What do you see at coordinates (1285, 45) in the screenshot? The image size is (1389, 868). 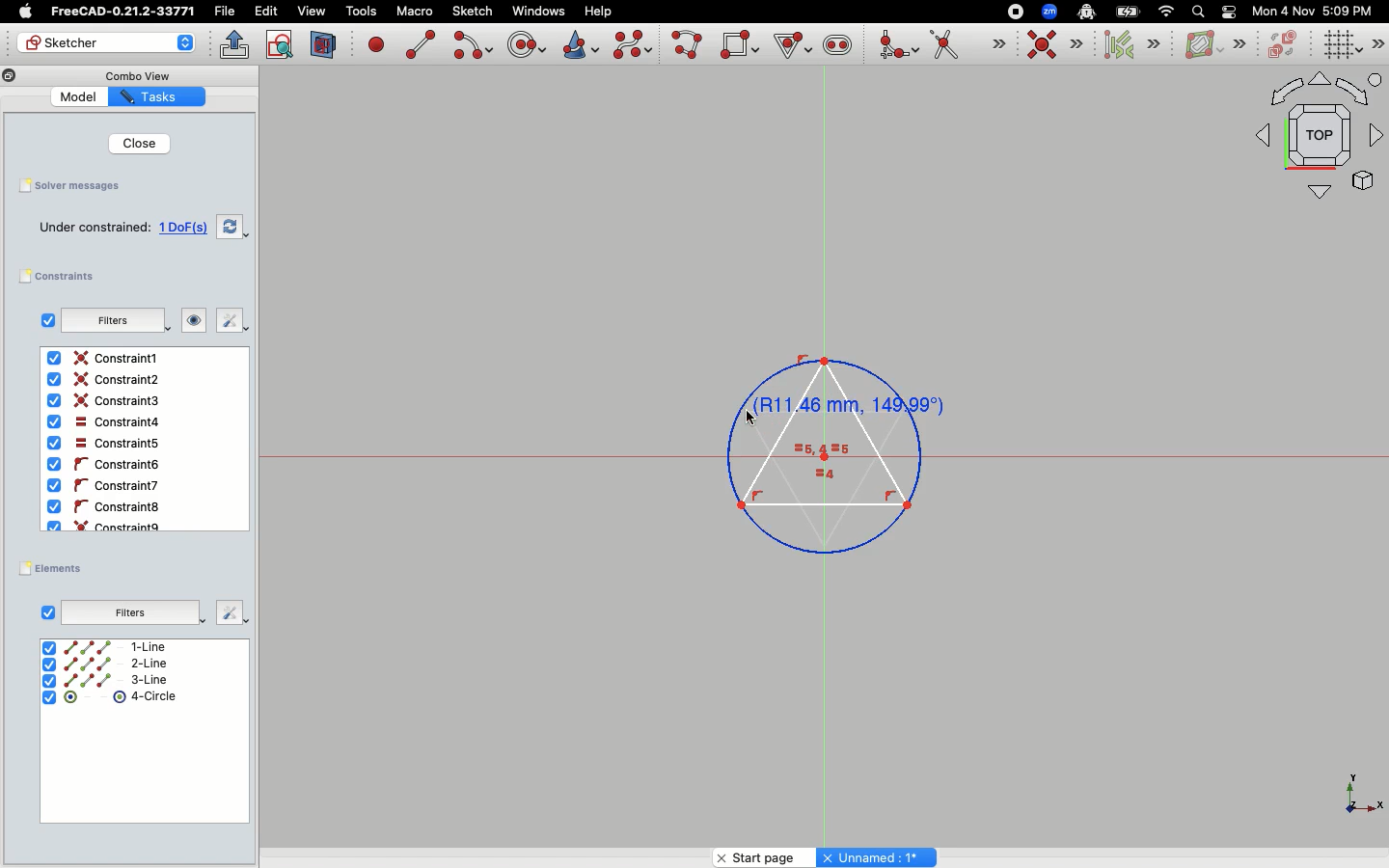 I see `Switch virtual space` at bounding box center [1285, 45].